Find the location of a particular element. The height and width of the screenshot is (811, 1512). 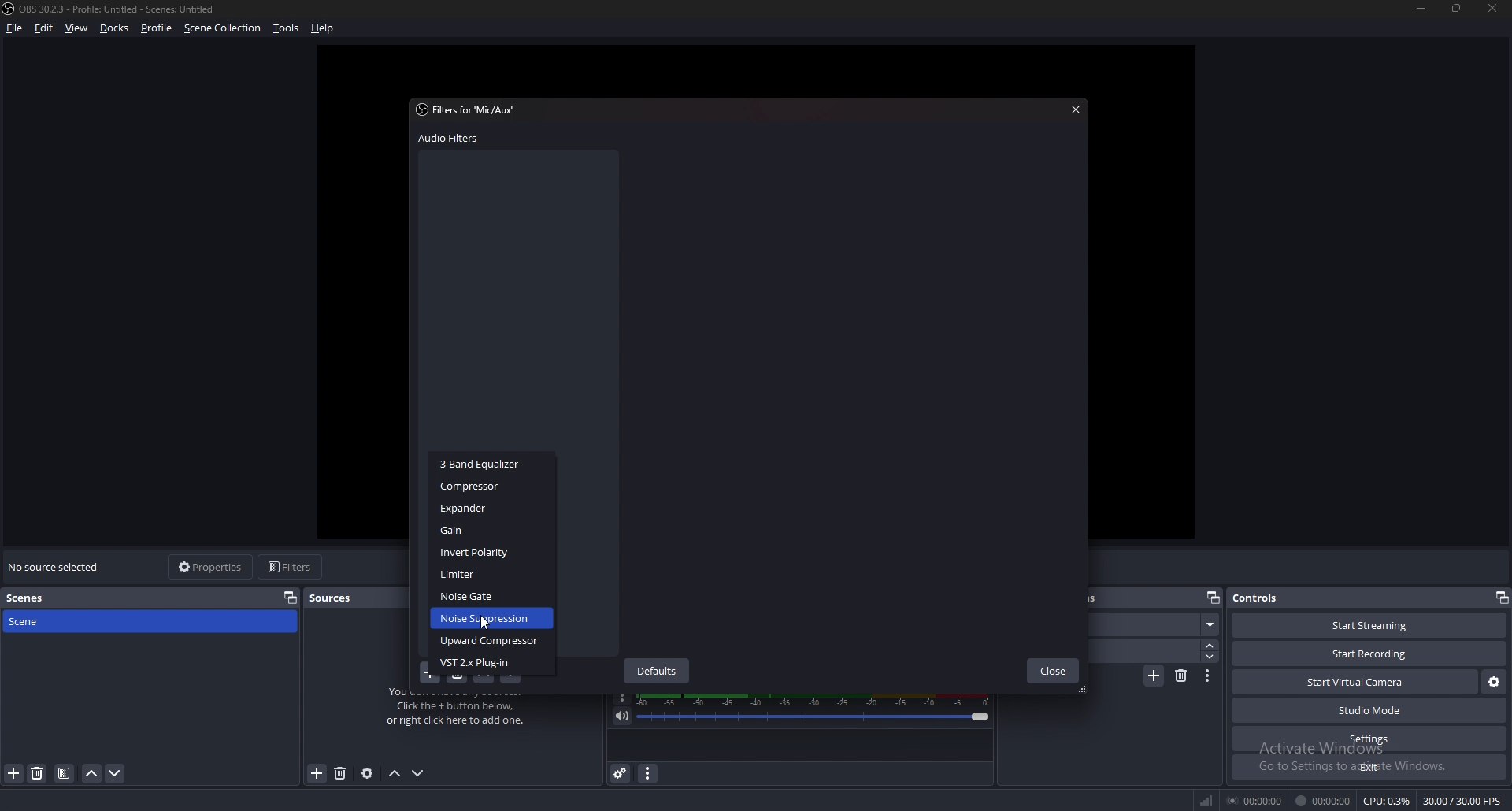

30.00/30.00 FPS is located at coordinates (1465, 801).